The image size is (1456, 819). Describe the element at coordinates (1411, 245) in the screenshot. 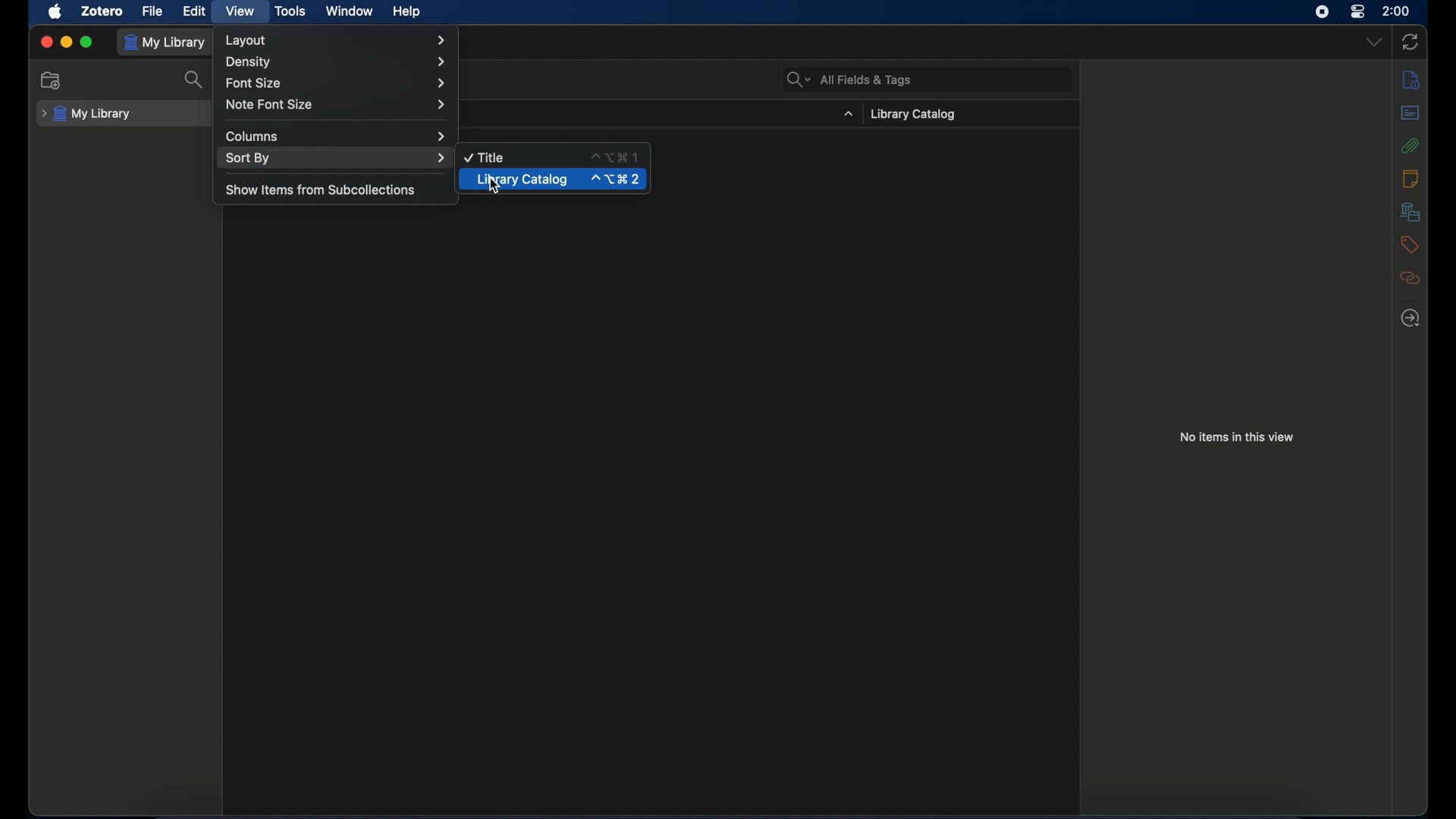

I see `tags` at that location.